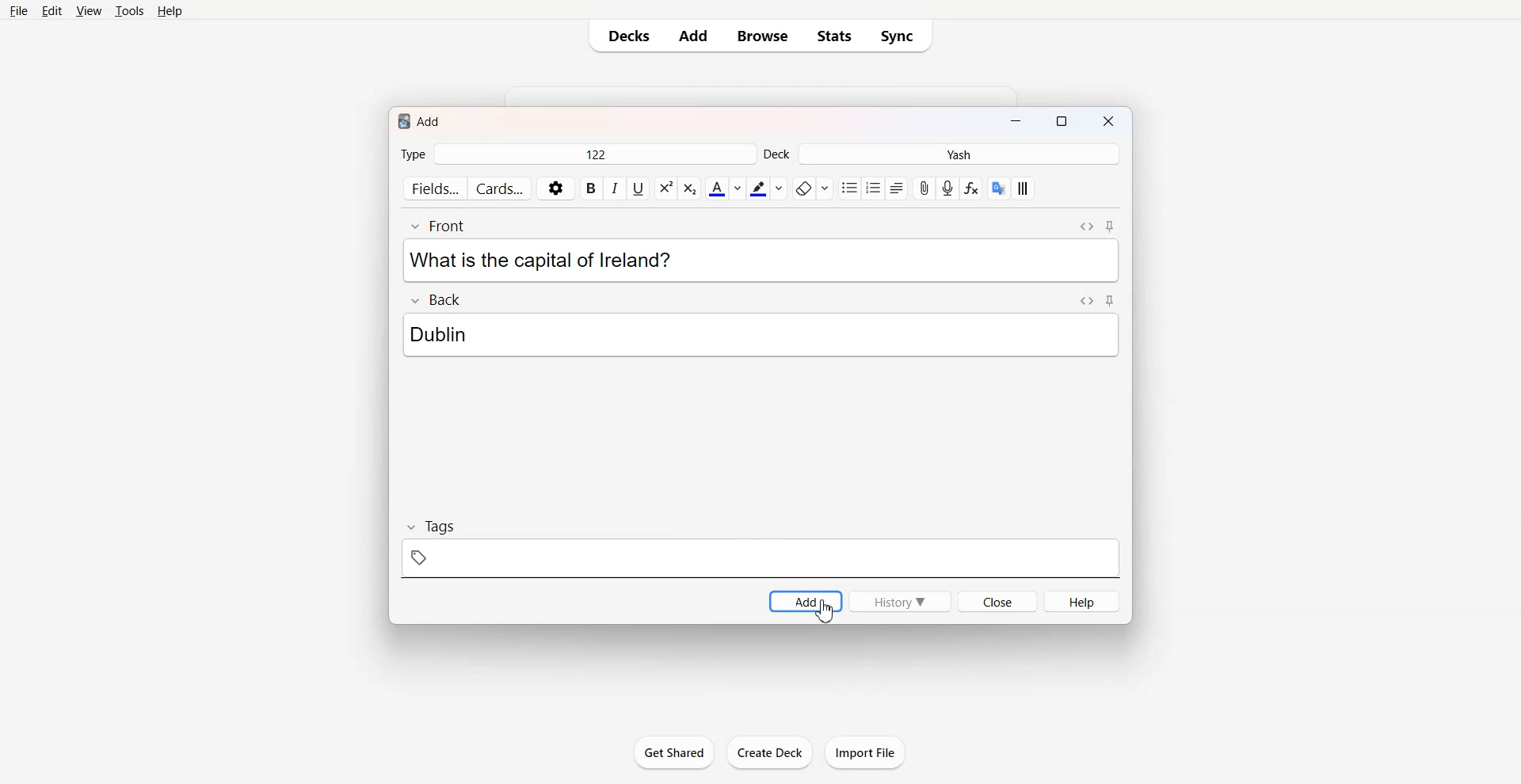 Image resolution: width=1521 pixels, height=784 pixels. What do you see at coordinates (760, 36) in the screenshot?
I see `Browse` at bounding box center [760, 36].